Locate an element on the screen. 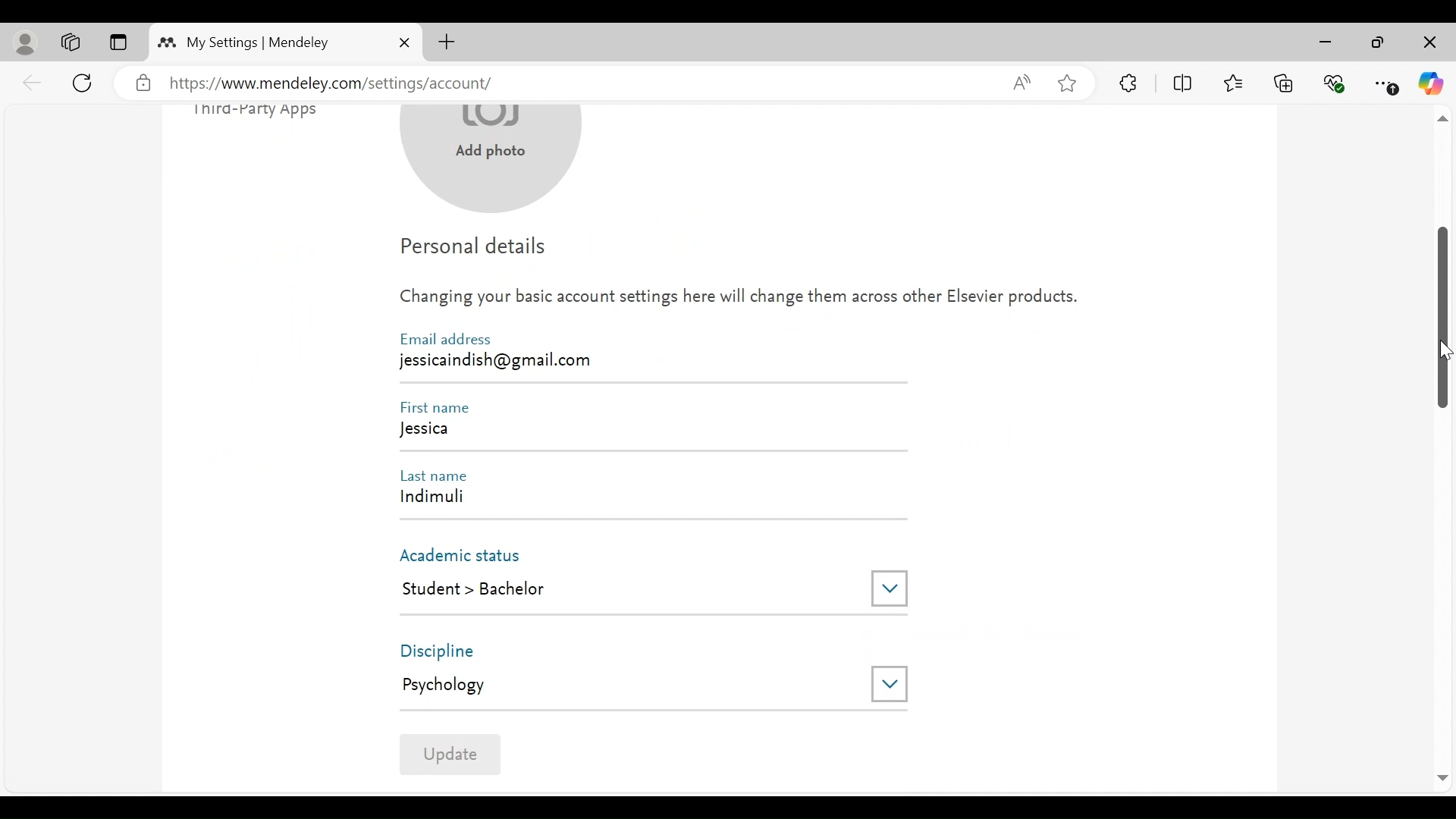 Image resolution: width=1456 pixels, height=819 pixels. verified is located at coordinates (143, 83).